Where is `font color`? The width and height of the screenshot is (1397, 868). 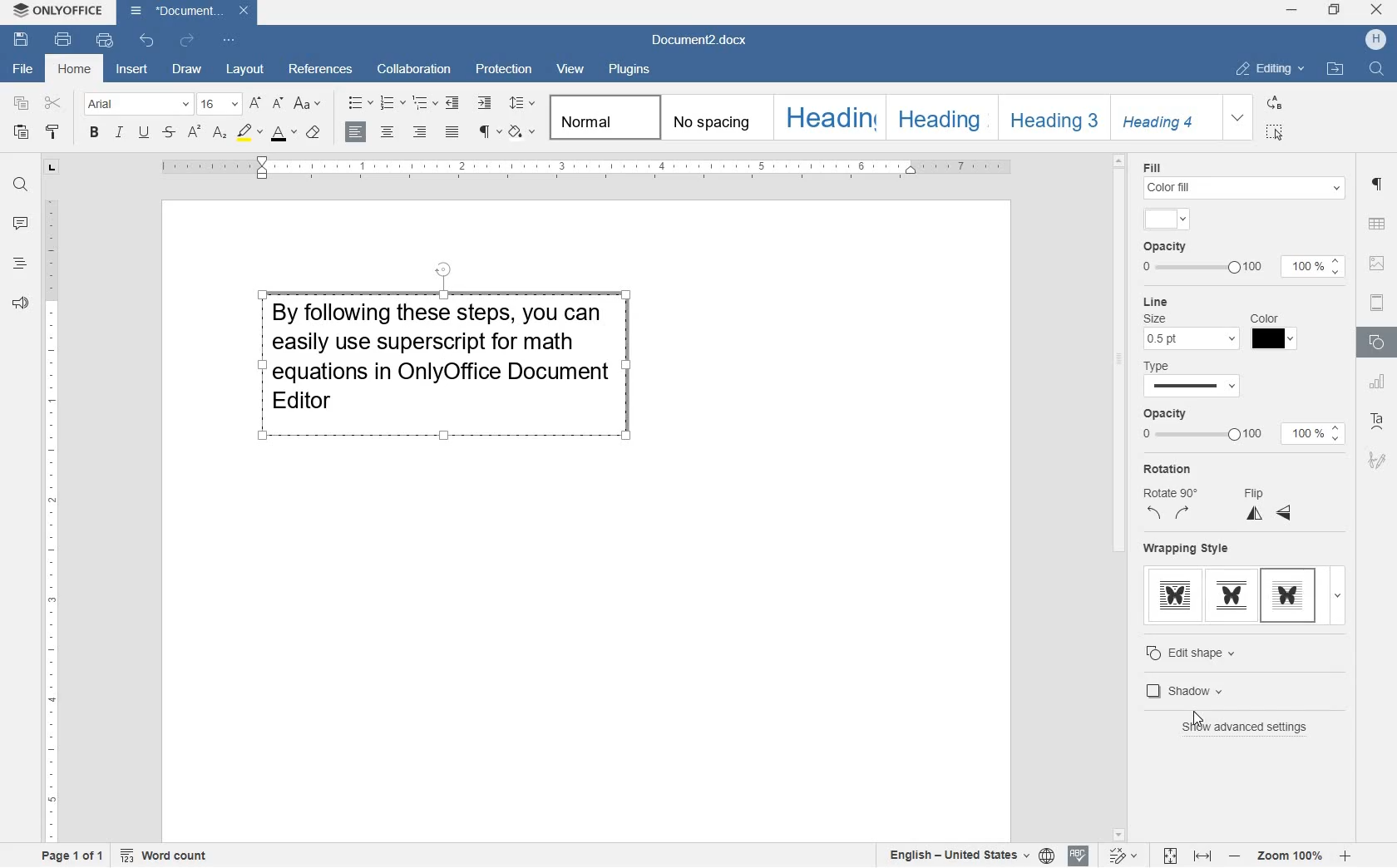
font color is located at coordinates (283, 134).